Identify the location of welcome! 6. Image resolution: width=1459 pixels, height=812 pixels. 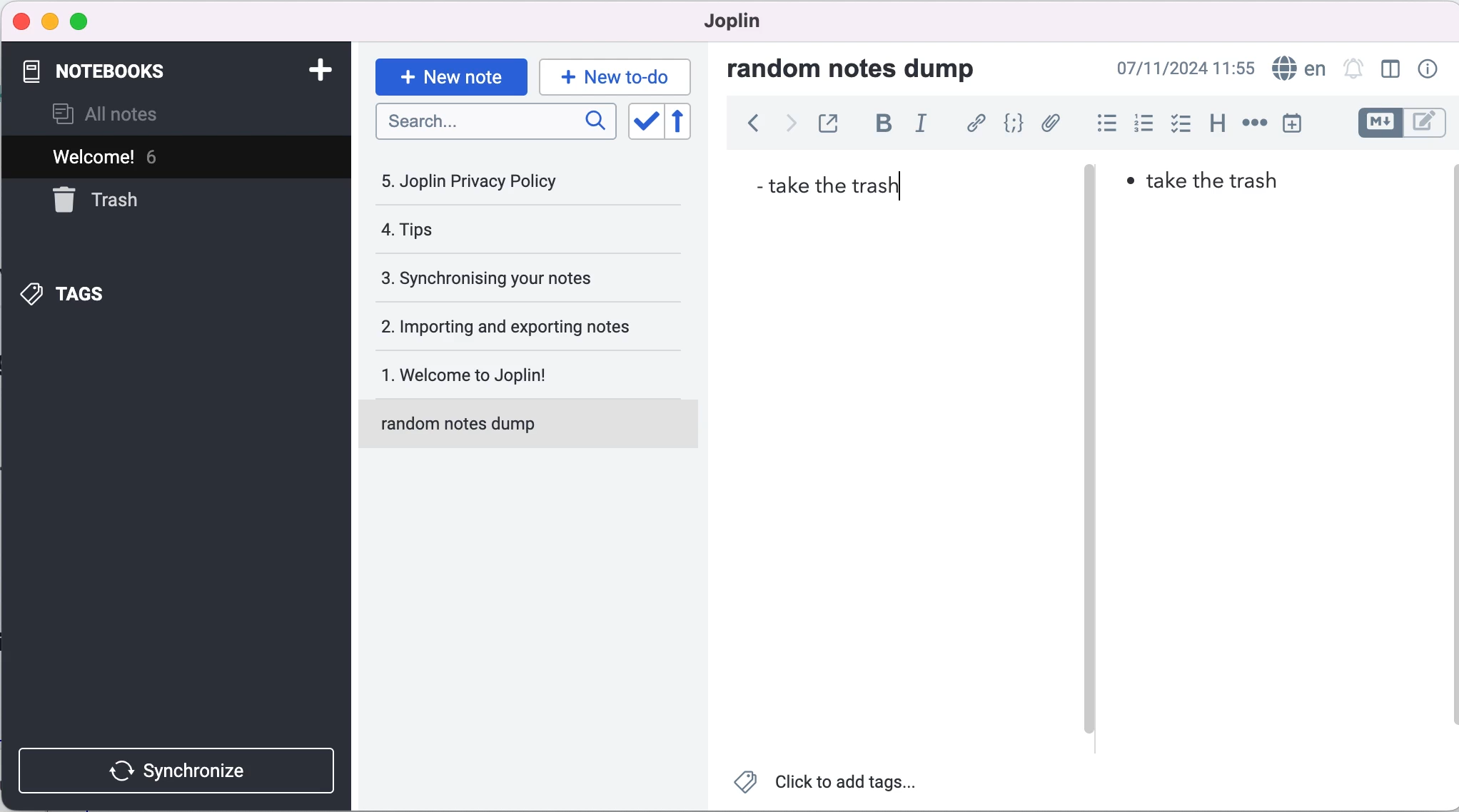
(138, 156).